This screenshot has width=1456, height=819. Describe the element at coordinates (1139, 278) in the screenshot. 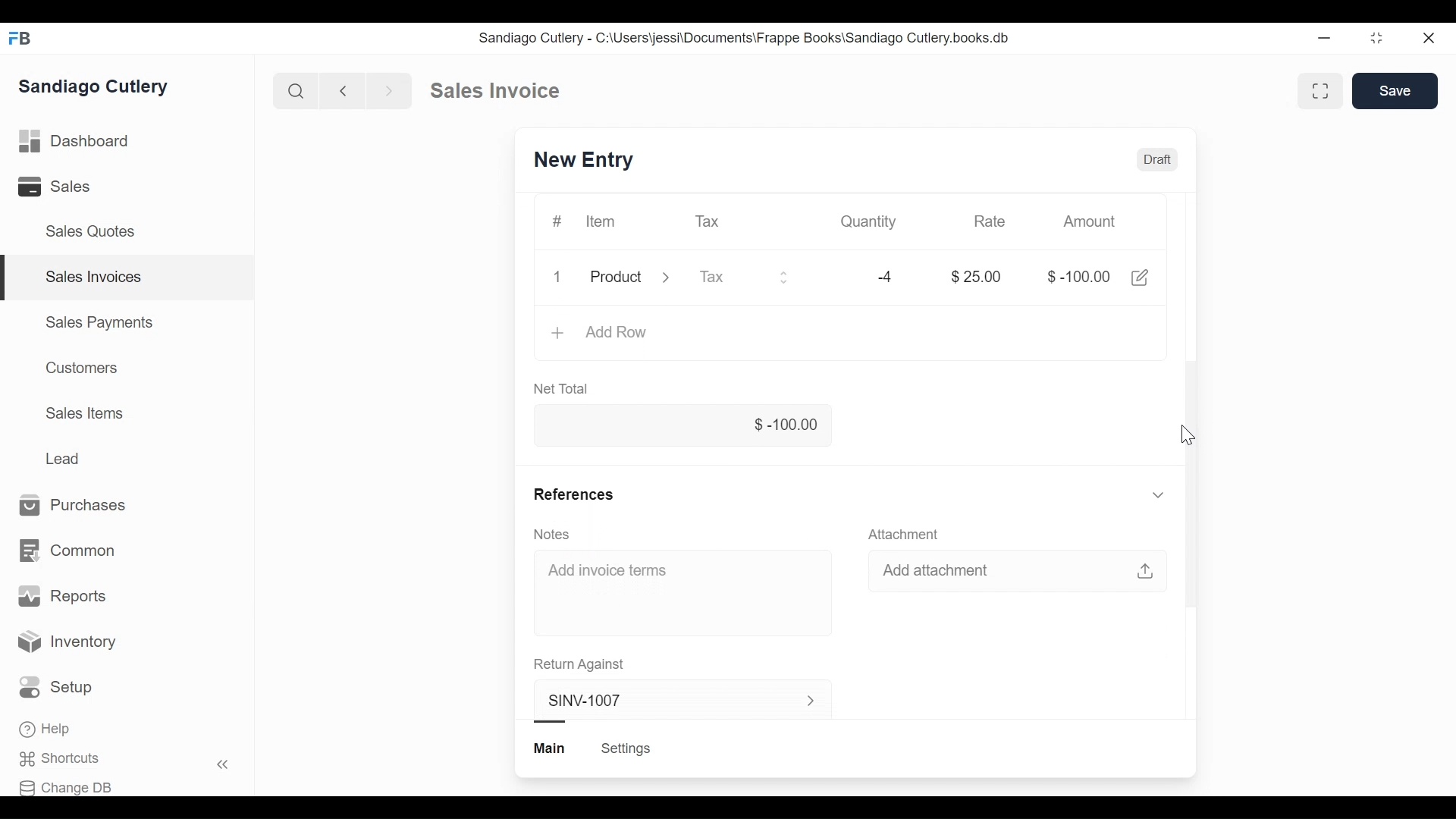

I see `Edit` at that location.